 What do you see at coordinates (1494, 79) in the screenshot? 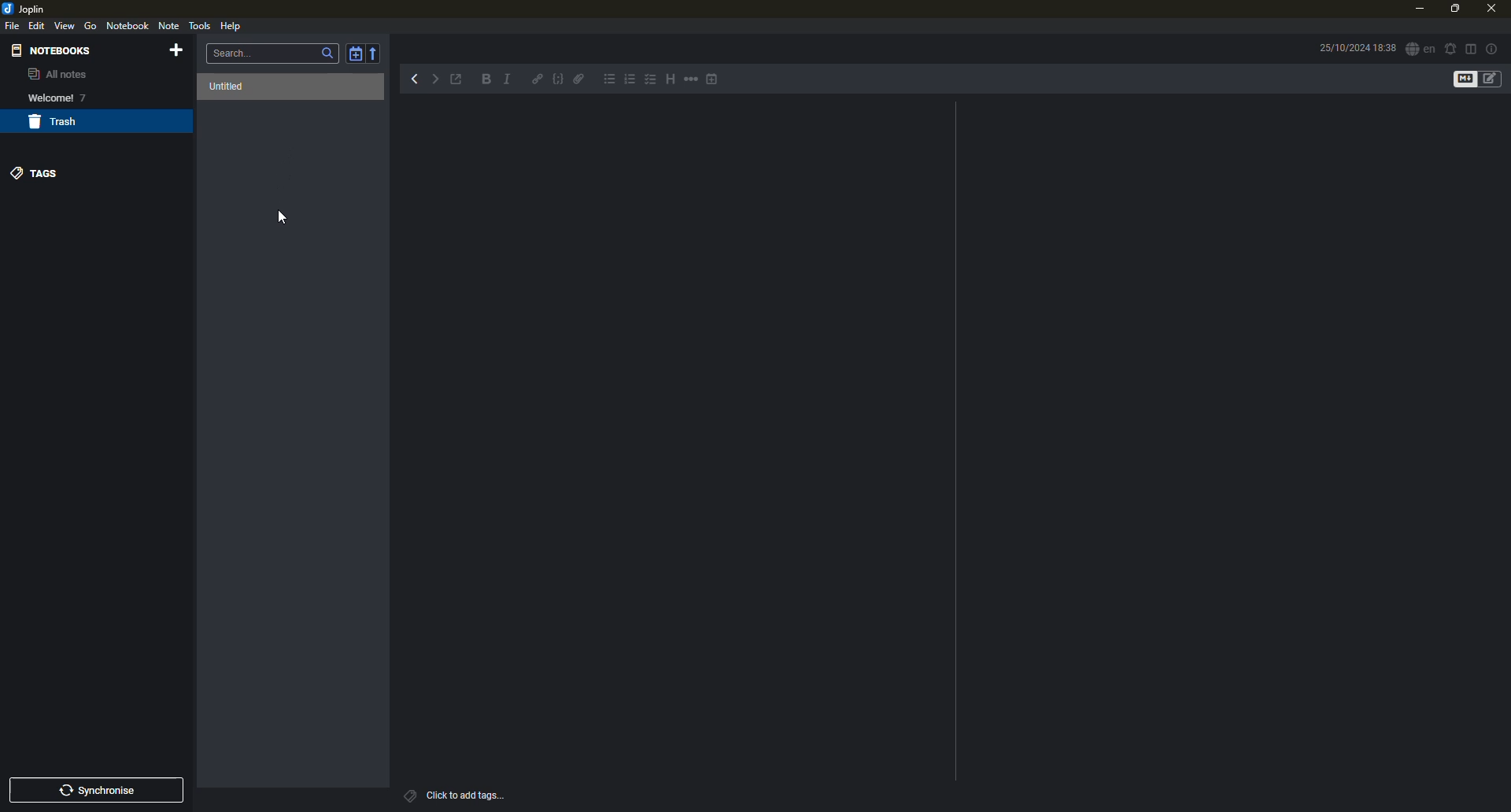
I see `toggle editors` at bounding box center [1494, 79].